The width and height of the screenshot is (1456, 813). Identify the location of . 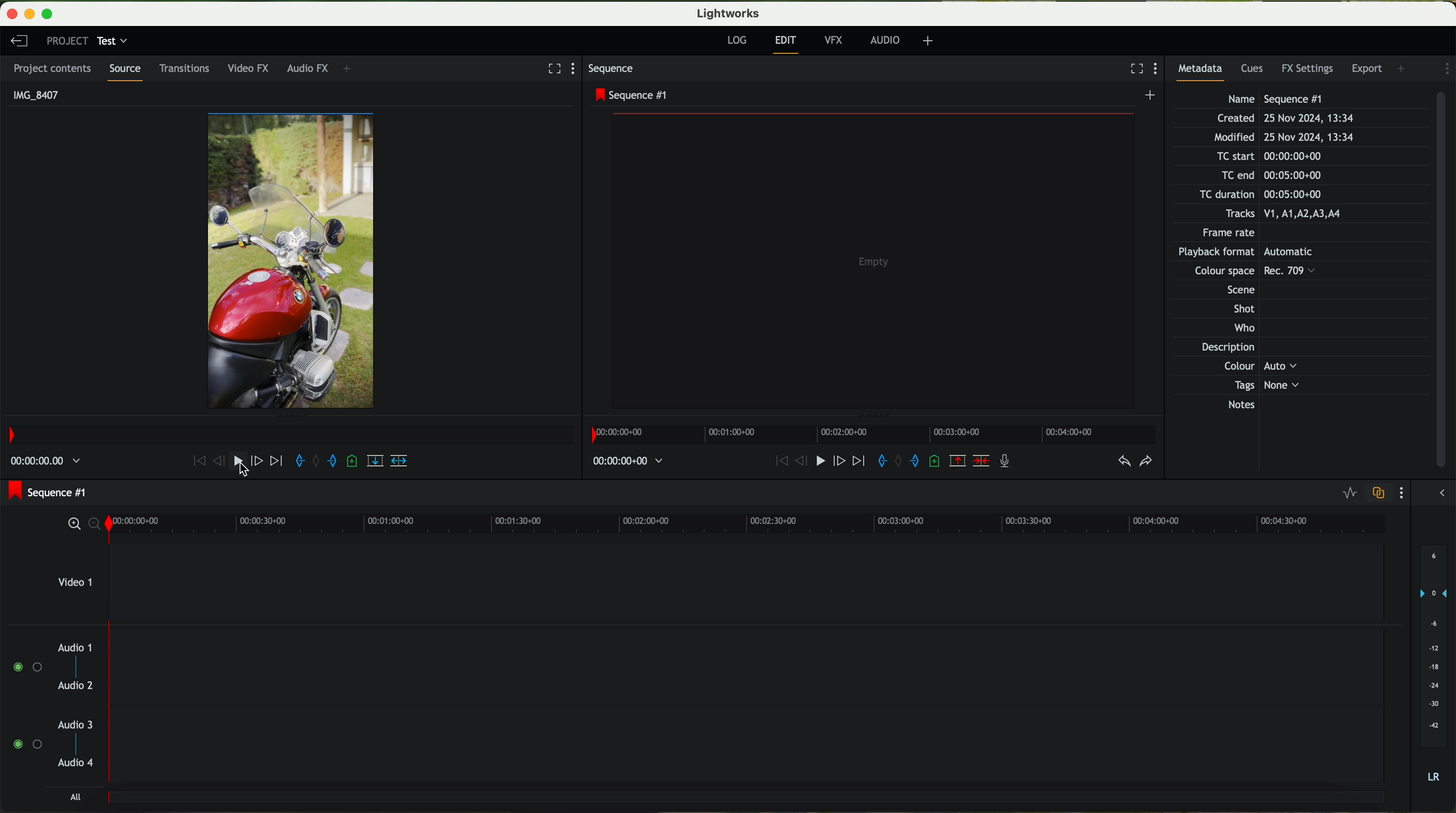
(1236, 288).